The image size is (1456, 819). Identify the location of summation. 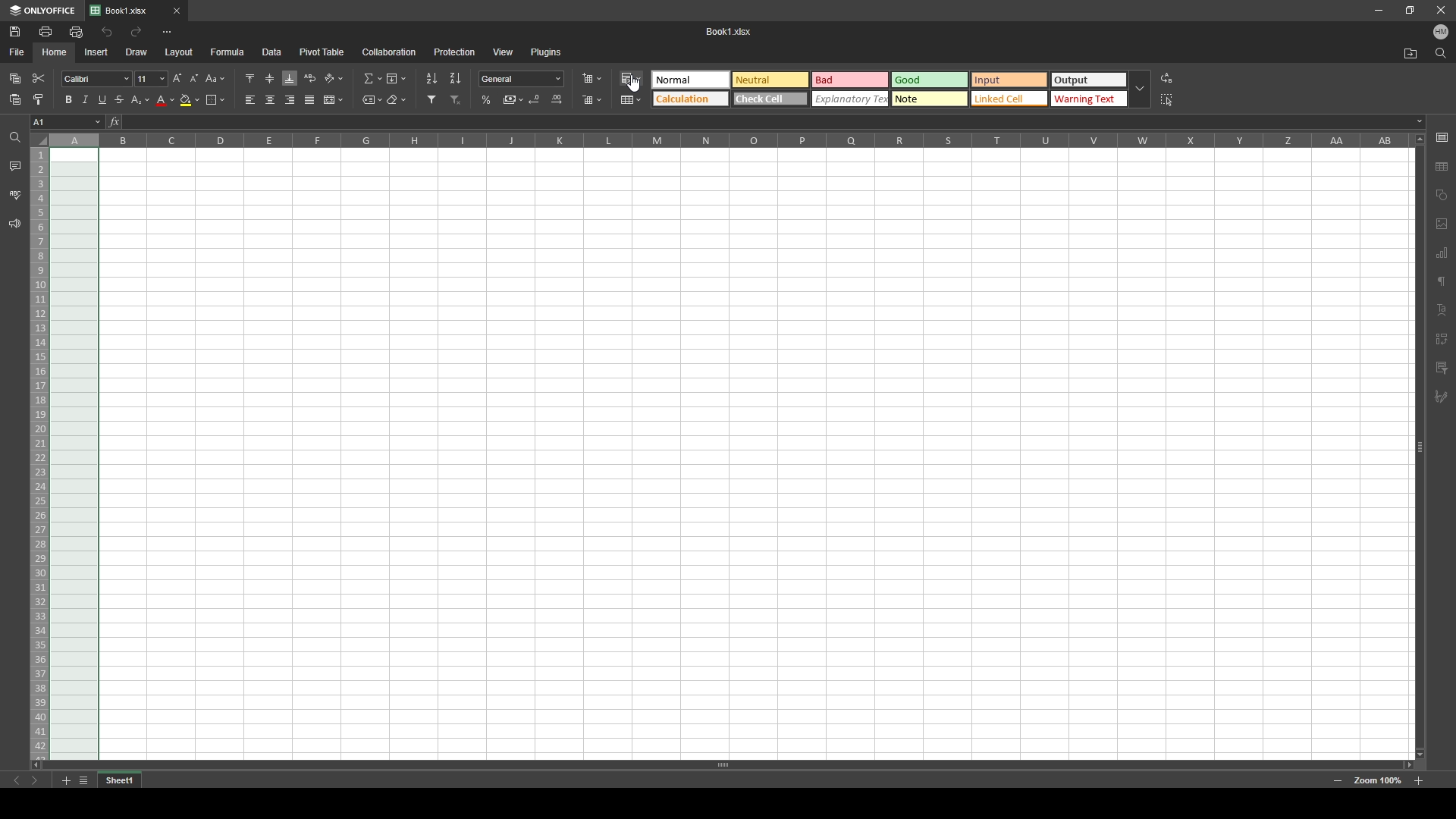
(372, 78).